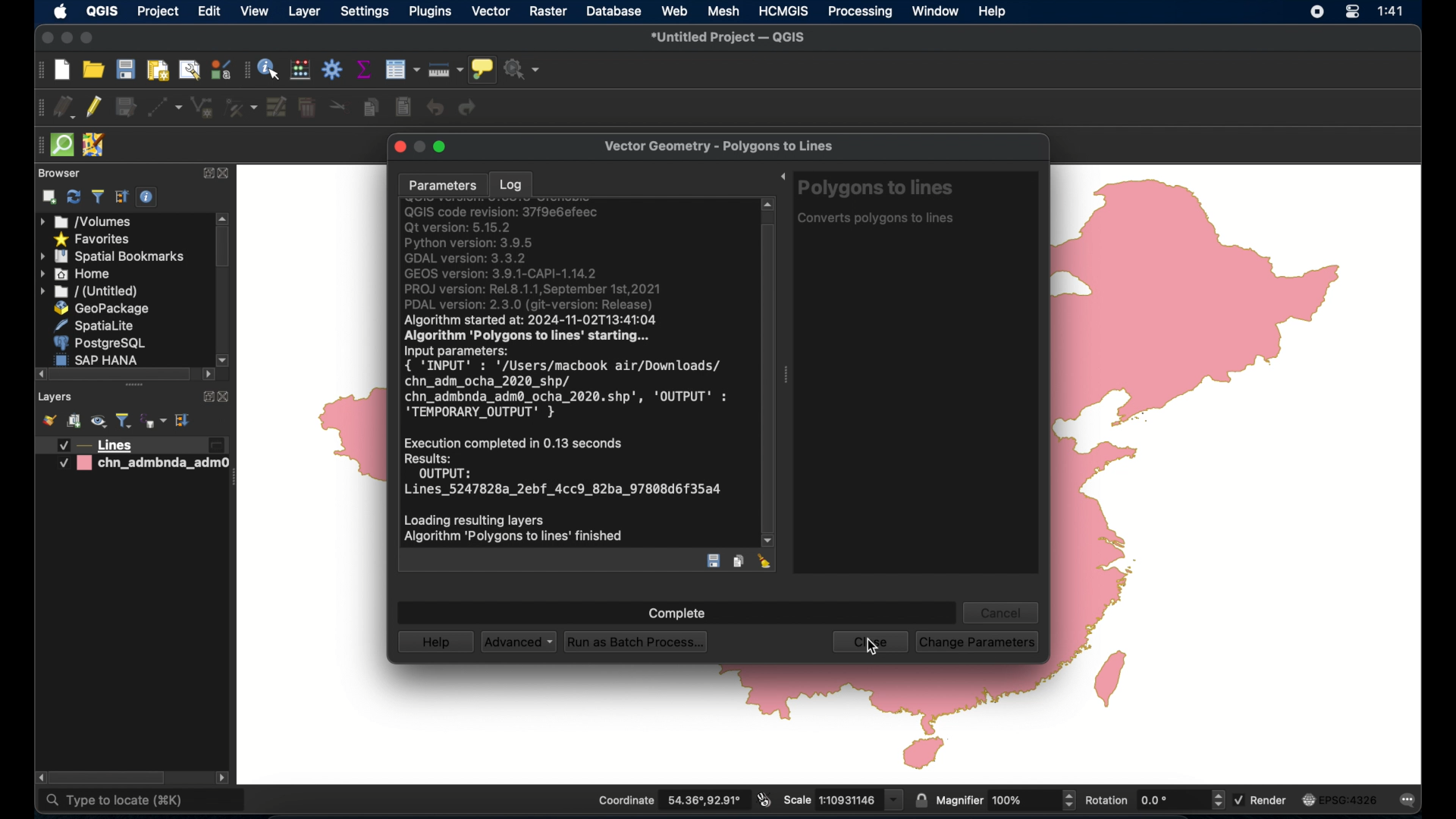  I want to click on scroll down arrow, so click(766, 540).